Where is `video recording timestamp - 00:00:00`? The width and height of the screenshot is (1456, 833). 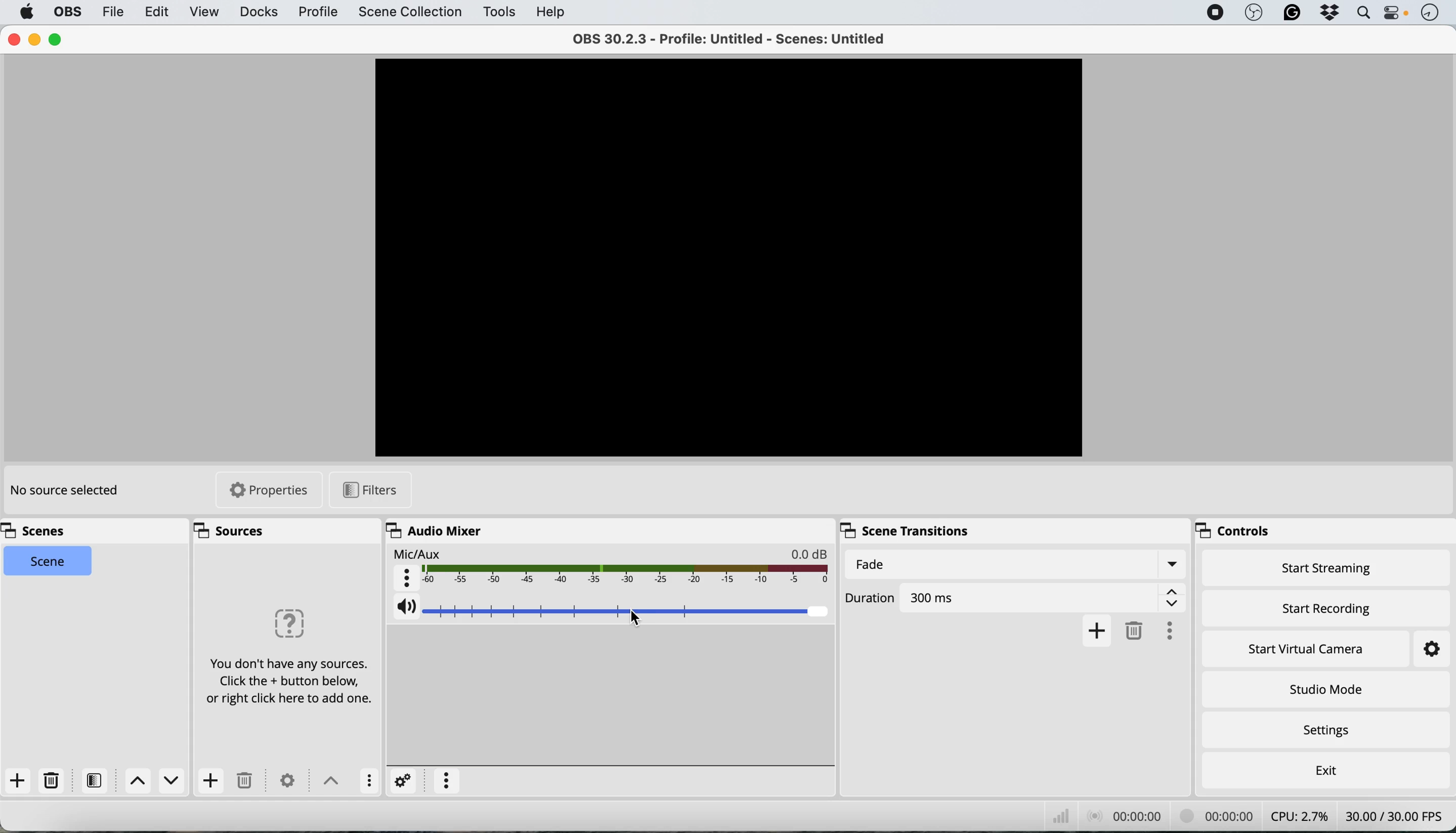 video recording timestamp - 00:00:00 is located at coordinates (1219, 816).